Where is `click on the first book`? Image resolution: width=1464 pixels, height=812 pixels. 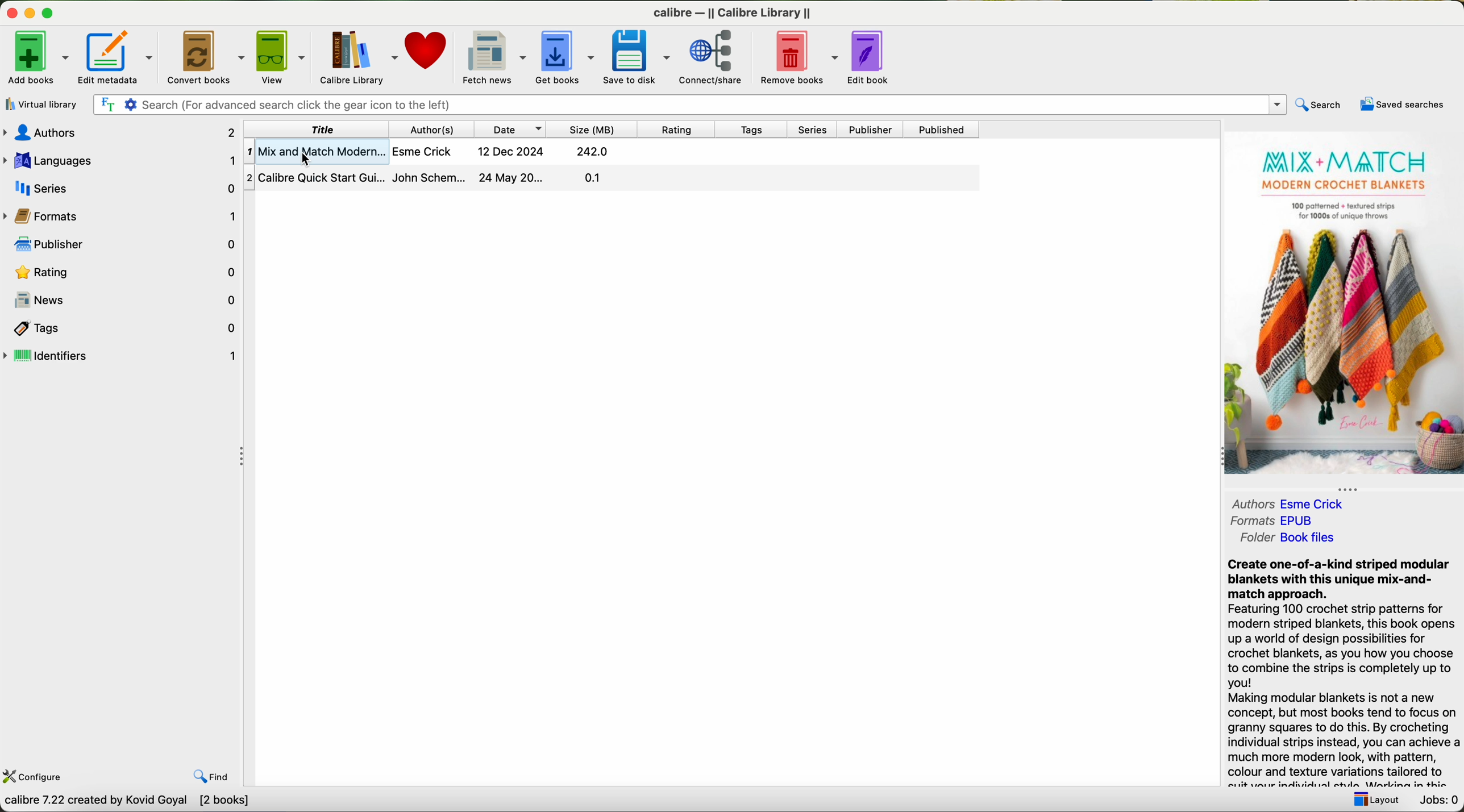
click on the first book is located at coordinates (612, 152).